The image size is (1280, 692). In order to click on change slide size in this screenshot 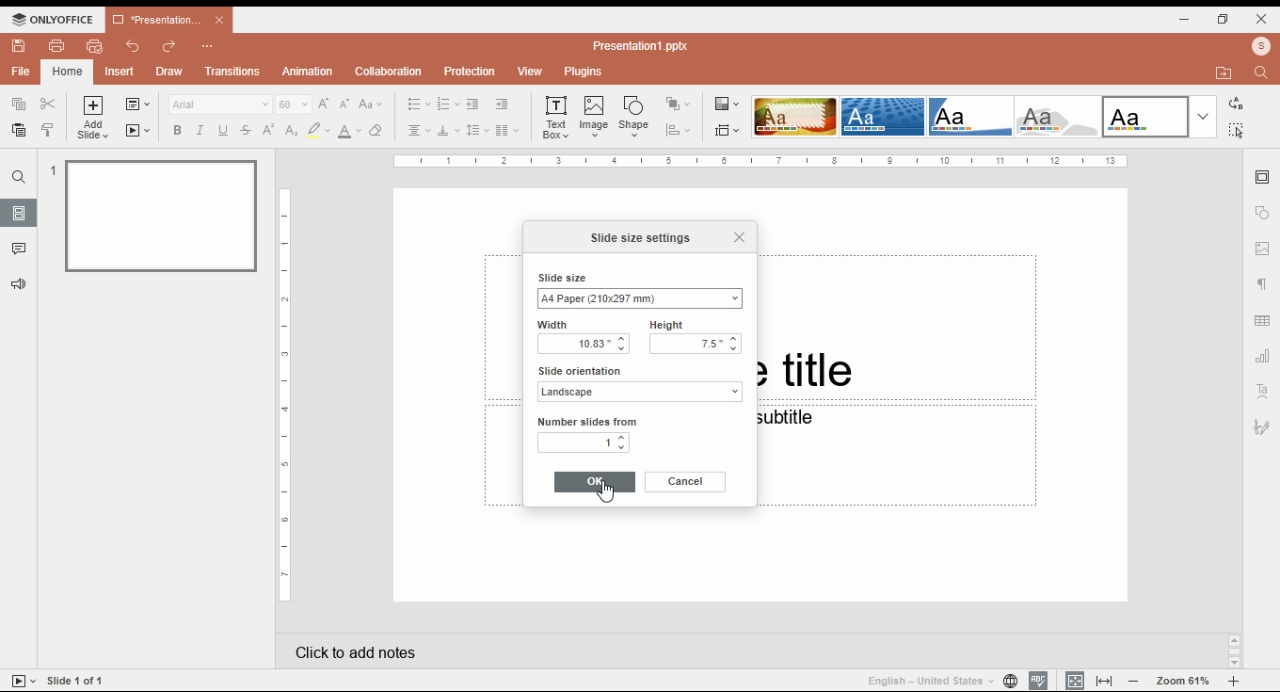, I will do `click(727, 130)`.